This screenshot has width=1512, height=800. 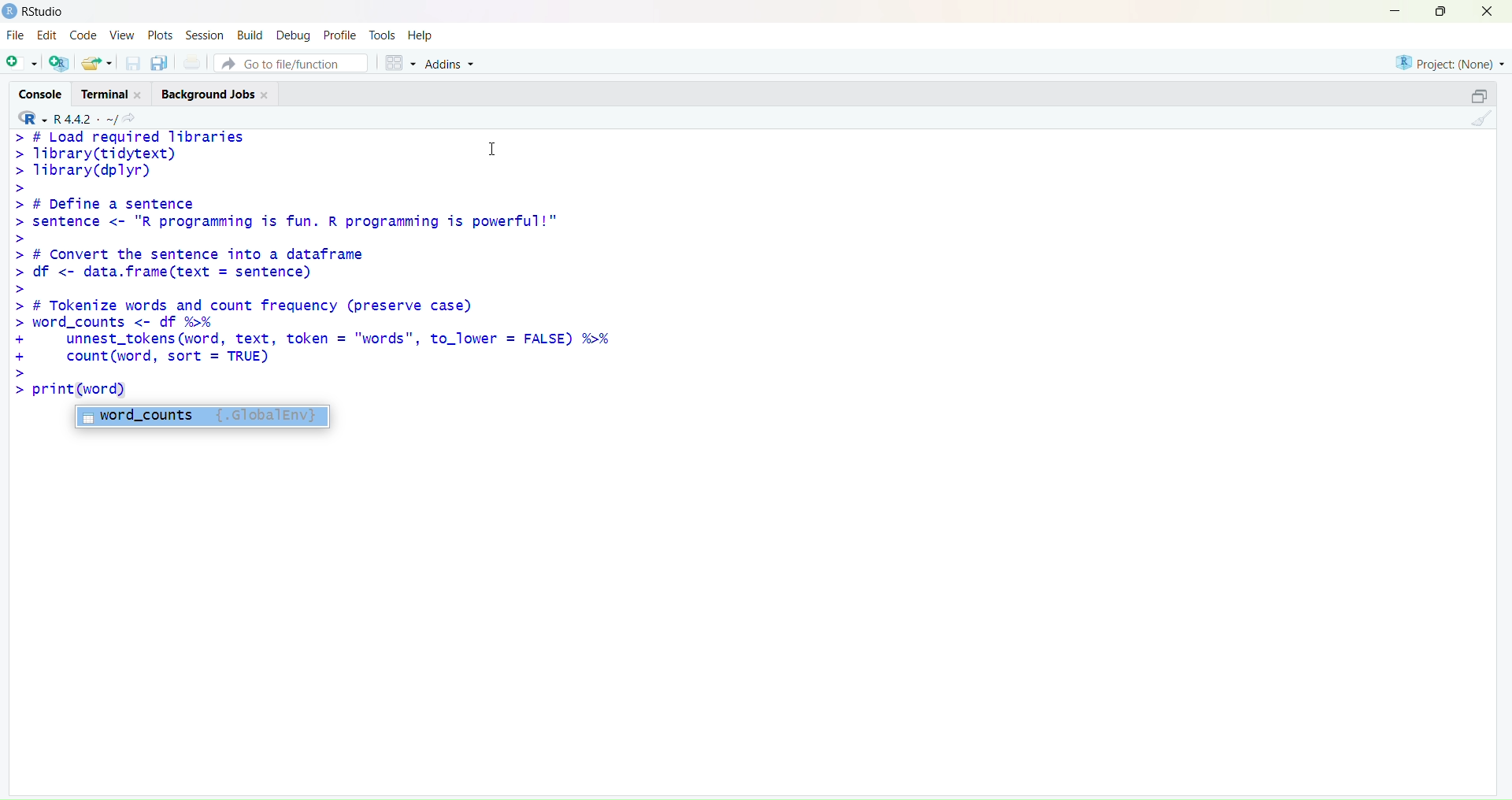 What do you see at coordinates (1447, 62) in the screenshot?
I see `project(None)` at bounding box center [1447, 62].